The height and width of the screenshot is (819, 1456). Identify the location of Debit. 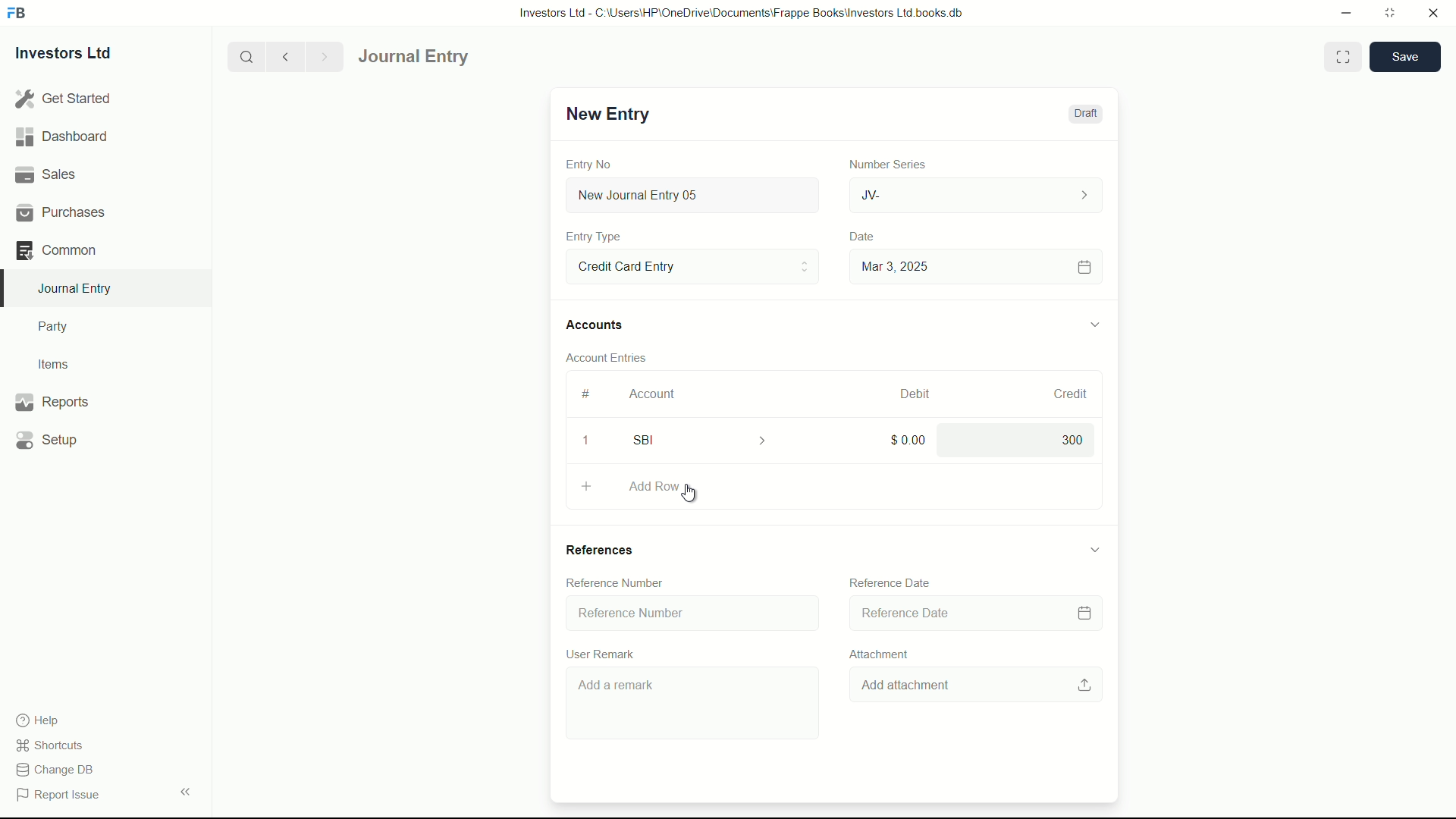
(908, 394).